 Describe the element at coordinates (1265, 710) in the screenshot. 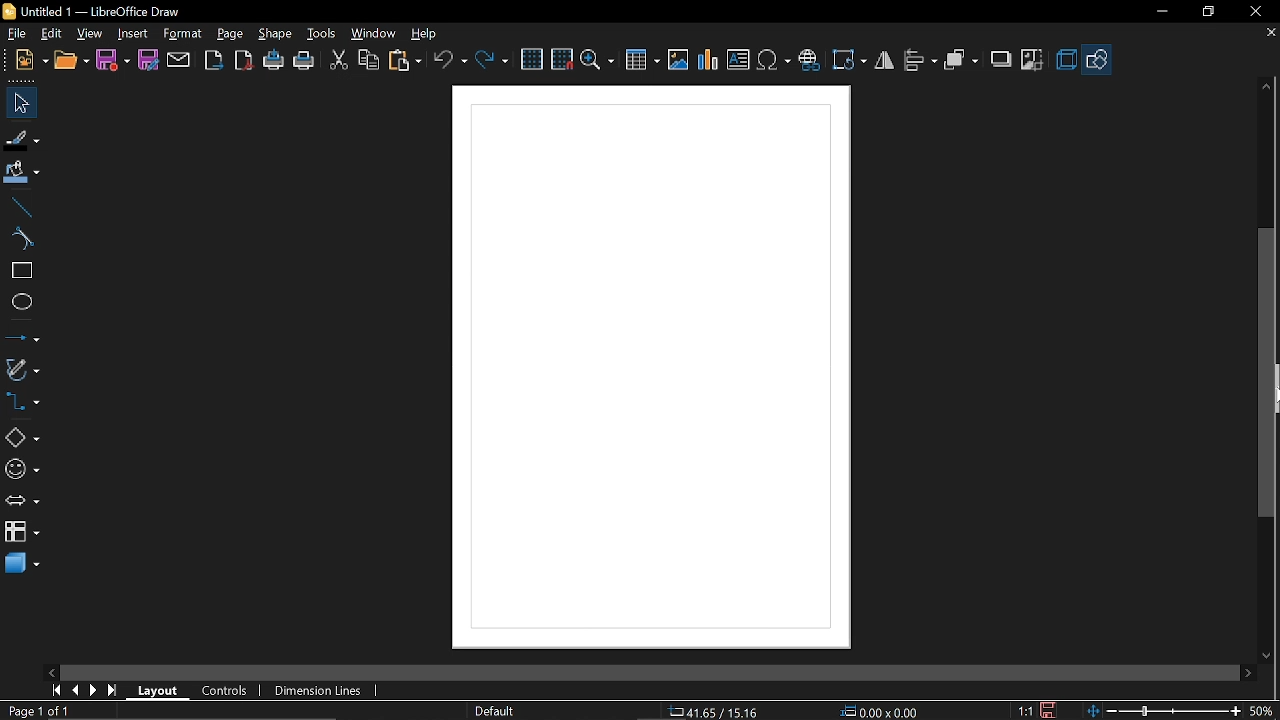

I see `Zoom` at that location.